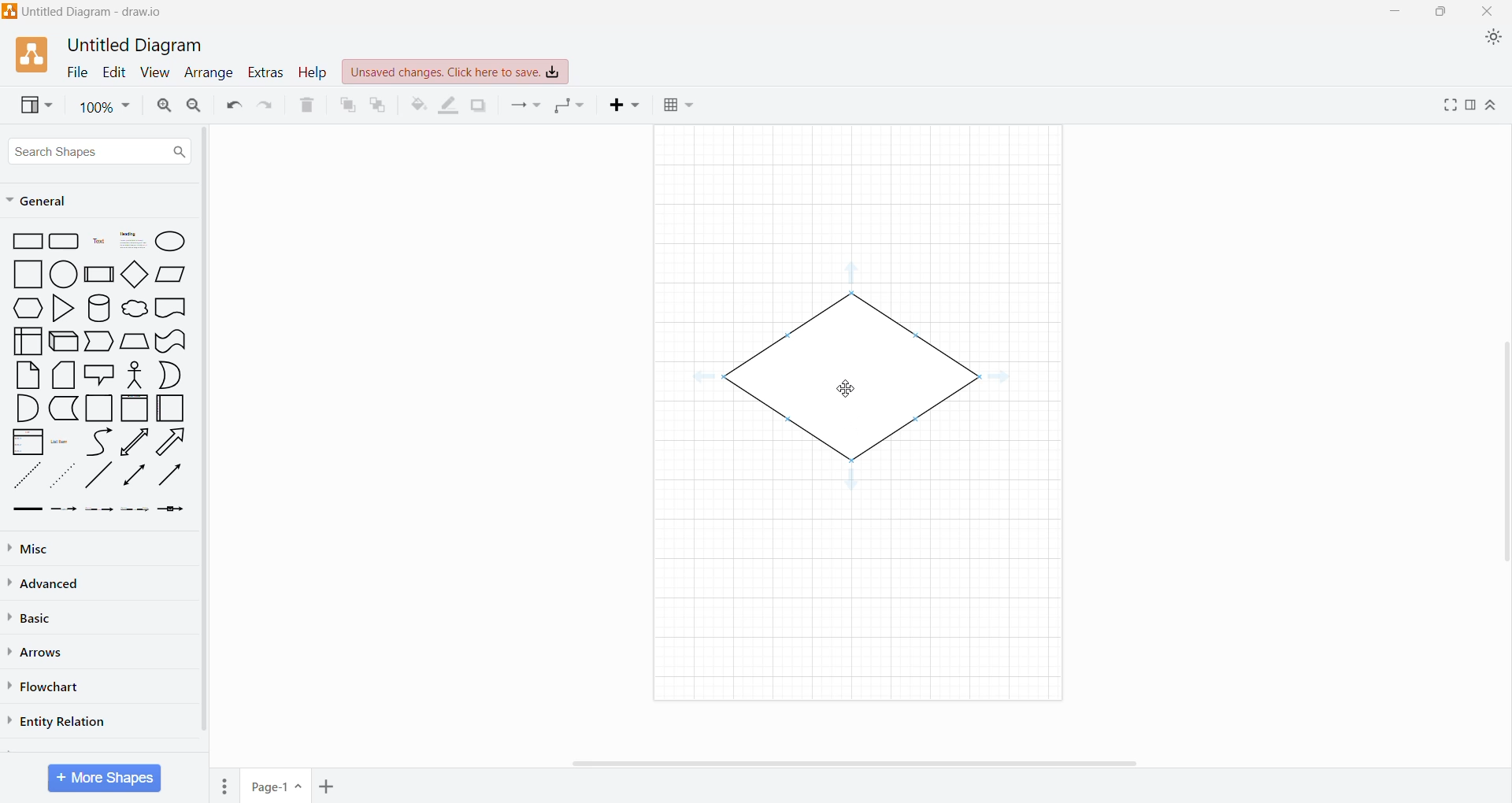 Image resolution: width=1512 pixels, height=803 pixels. What do you see at coordinates (448, 105) in the screenshot?
I see `Line Color` at bounding box center [448, 105].